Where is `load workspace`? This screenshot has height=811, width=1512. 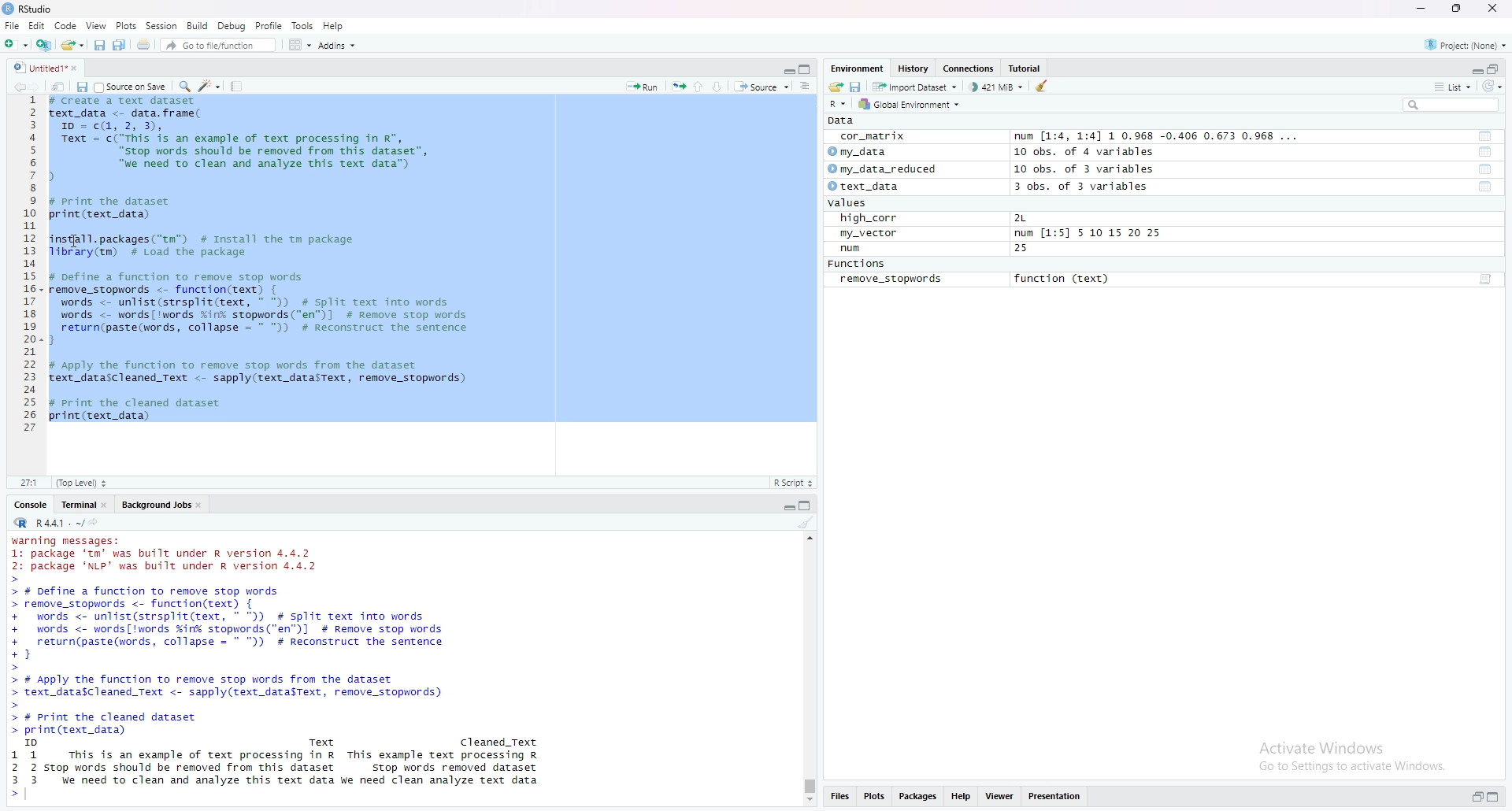
load workspace is located at coordinates (834, 87).